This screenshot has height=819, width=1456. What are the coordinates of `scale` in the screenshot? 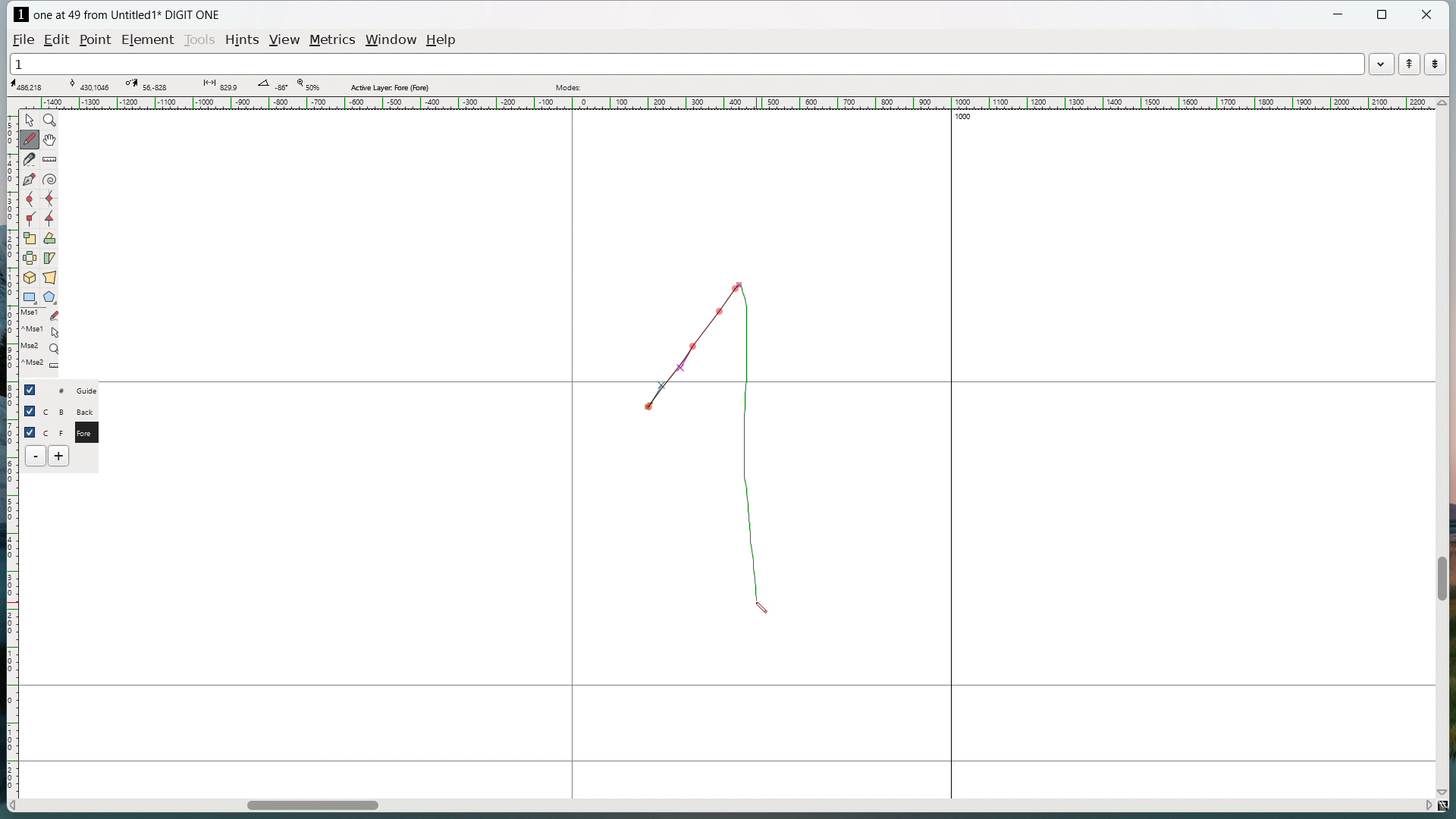 It's located at (30, 237).